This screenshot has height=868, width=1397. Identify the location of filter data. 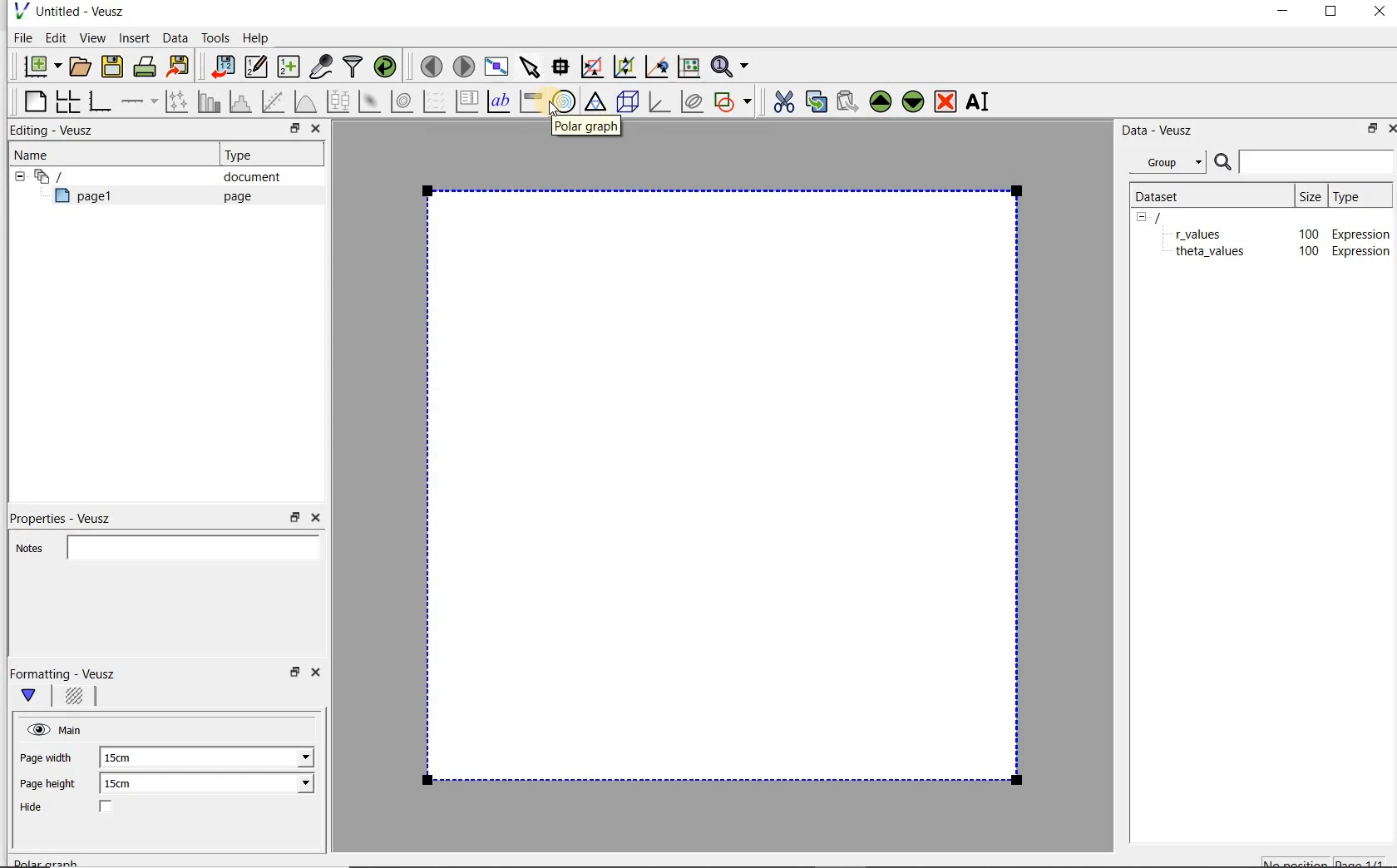
(353, 68).